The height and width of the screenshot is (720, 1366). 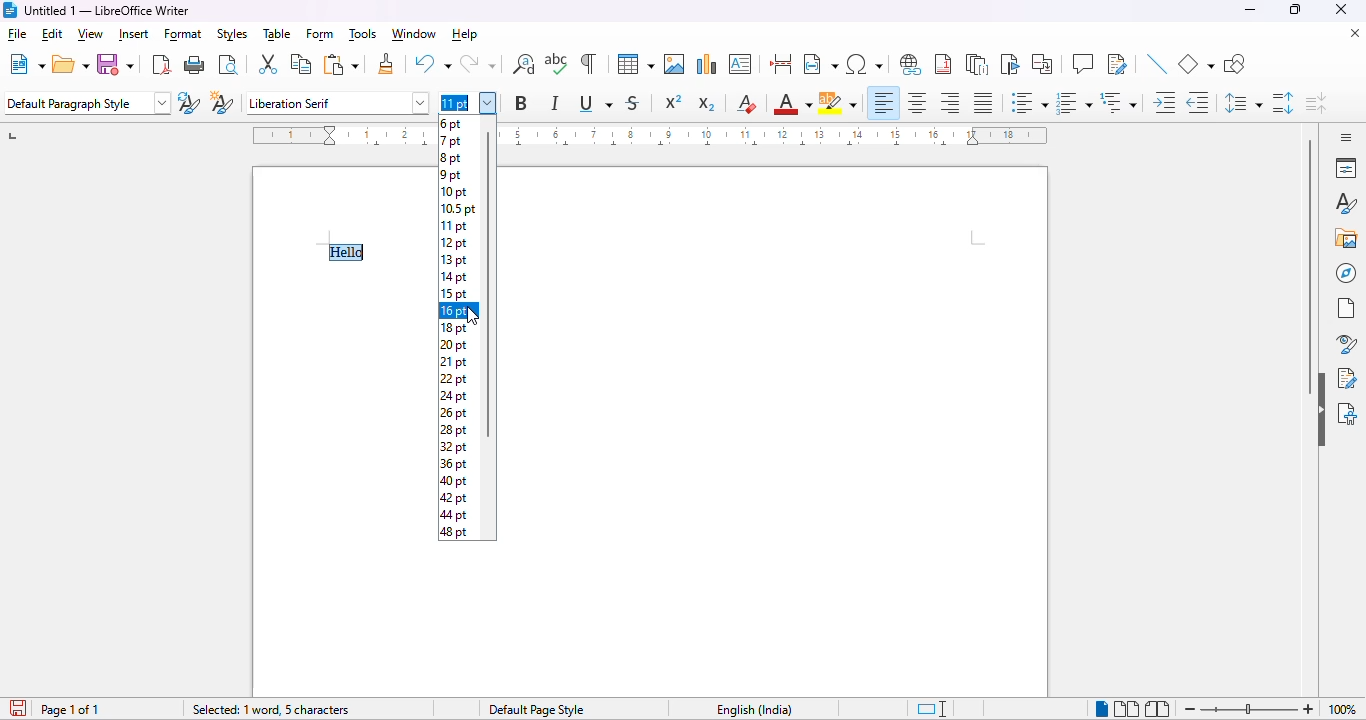 I want to click on font size, so click(x=470, y=103).